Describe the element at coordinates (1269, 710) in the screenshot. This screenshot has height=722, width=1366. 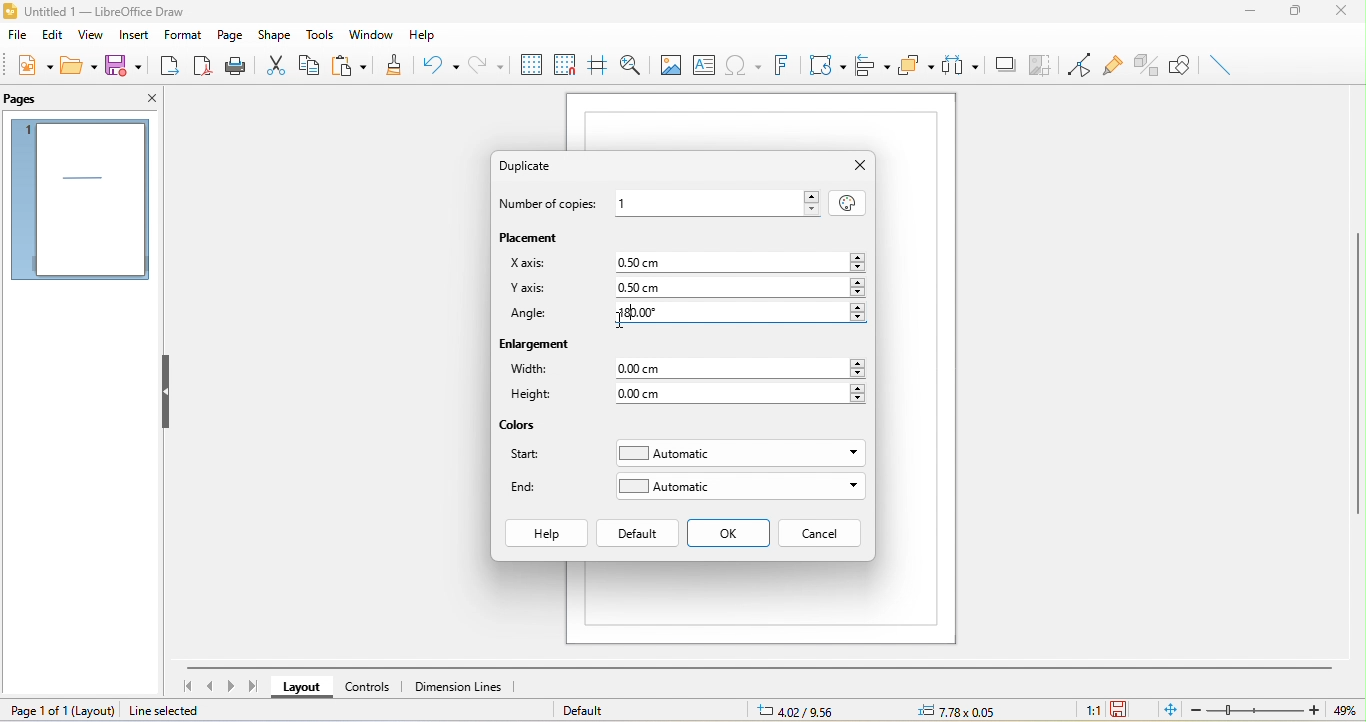
I see `zoom` at that location.